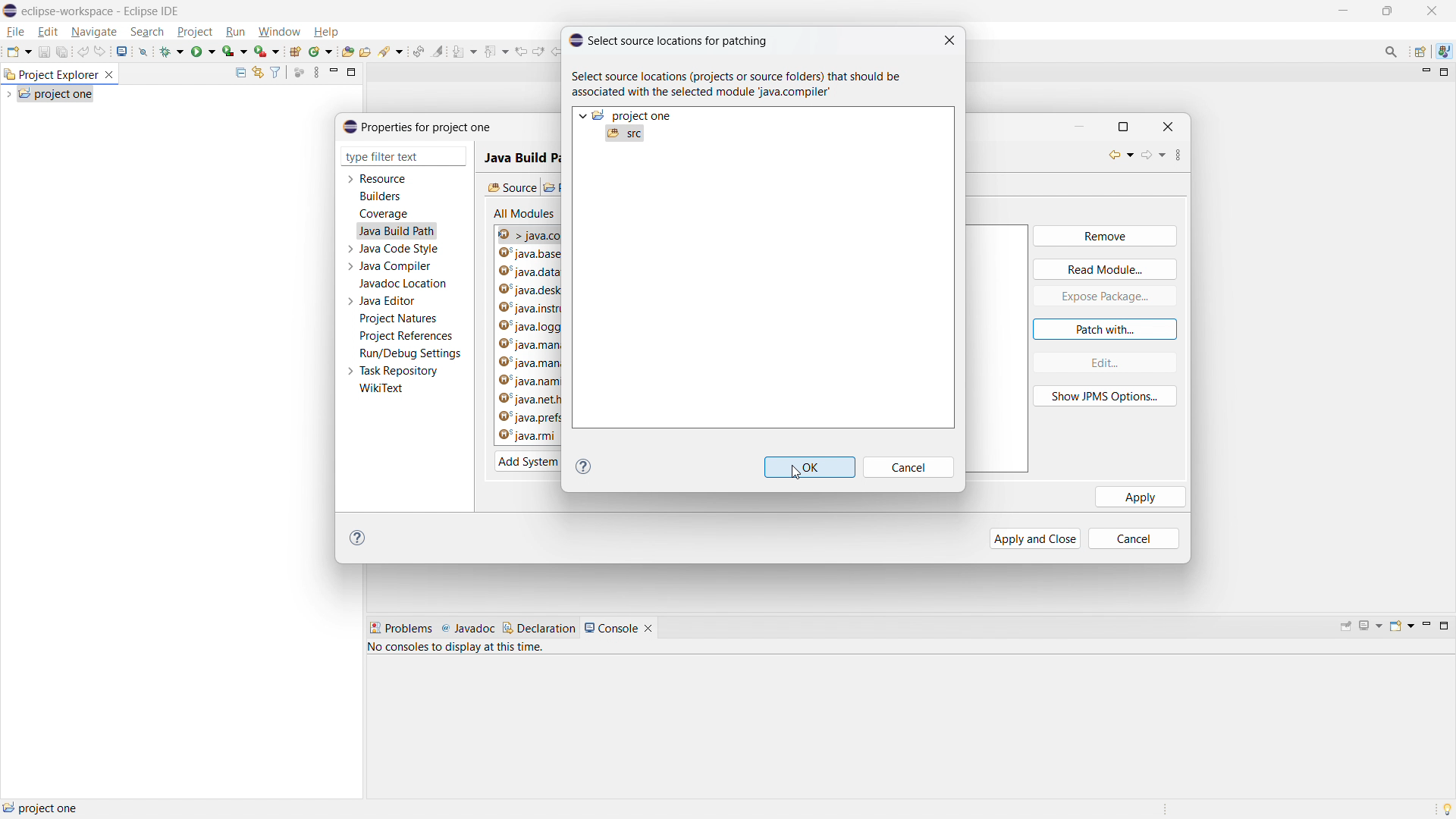 This screenshot has height=819, width=1456. I want to click on coverage, so click(384, 214).